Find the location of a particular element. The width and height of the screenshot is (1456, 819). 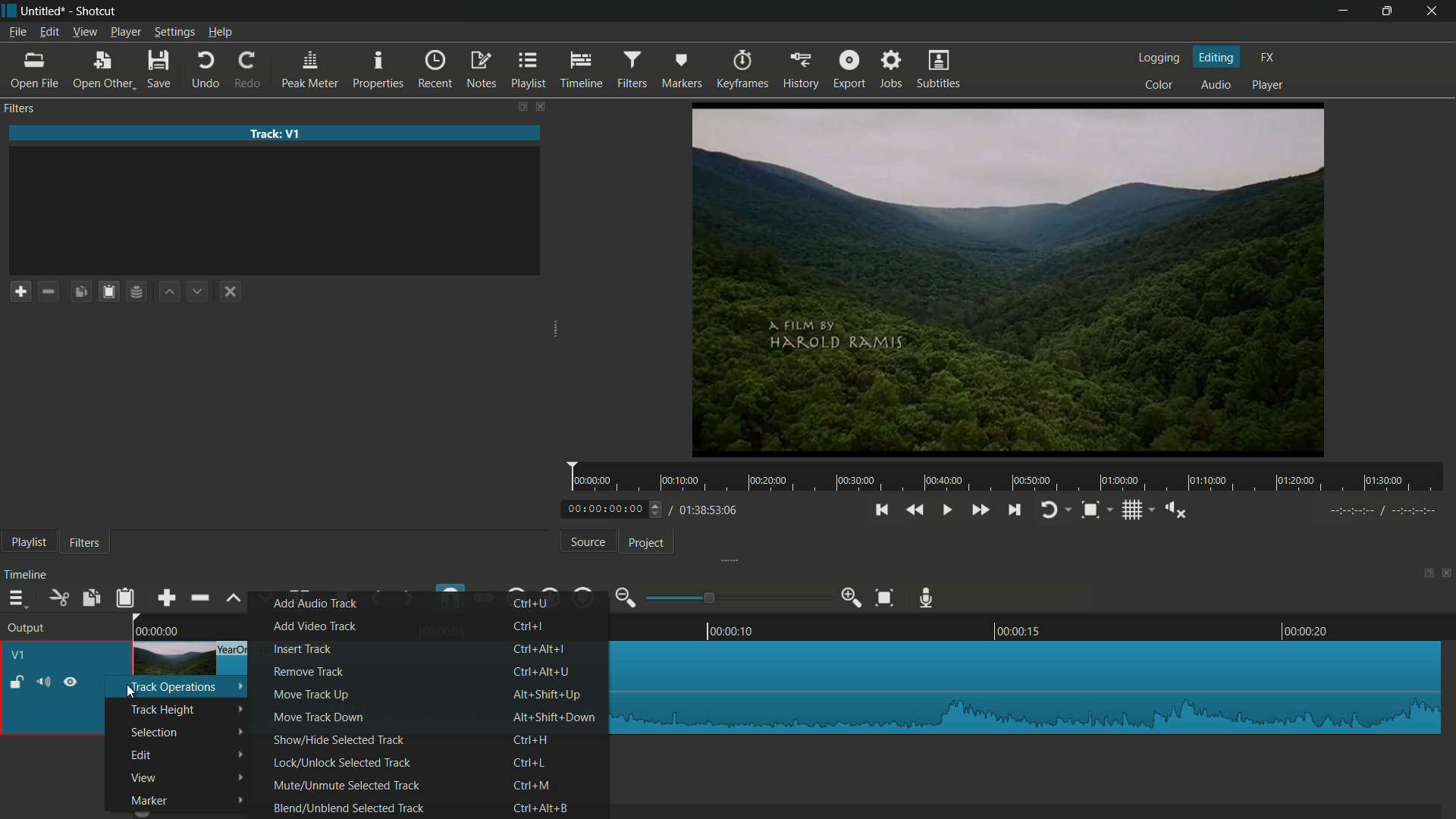

cut is located at coordinates (60, 598).